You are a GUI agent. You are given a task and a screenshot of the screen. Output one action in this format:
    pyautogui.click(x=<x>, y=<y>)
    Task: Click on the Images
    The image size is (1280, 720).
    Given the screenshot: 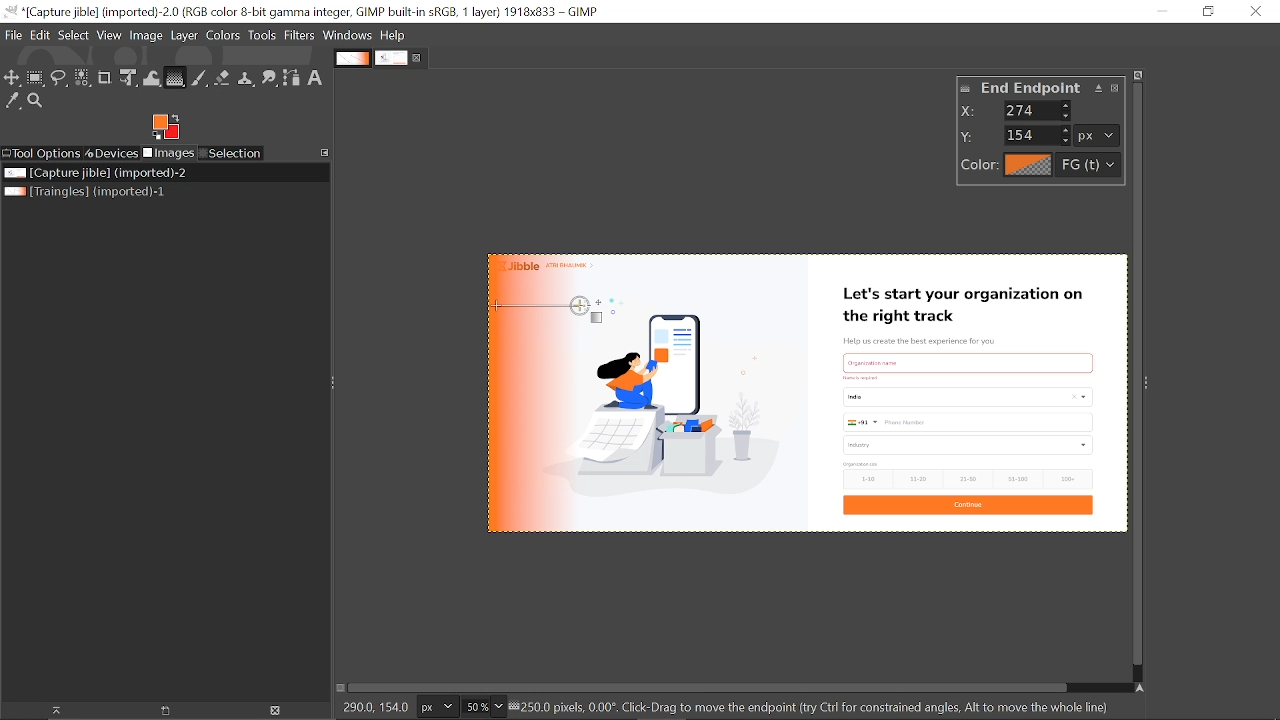 What is the action you would take?
    pyautogui.click(x=170, y=153)
    